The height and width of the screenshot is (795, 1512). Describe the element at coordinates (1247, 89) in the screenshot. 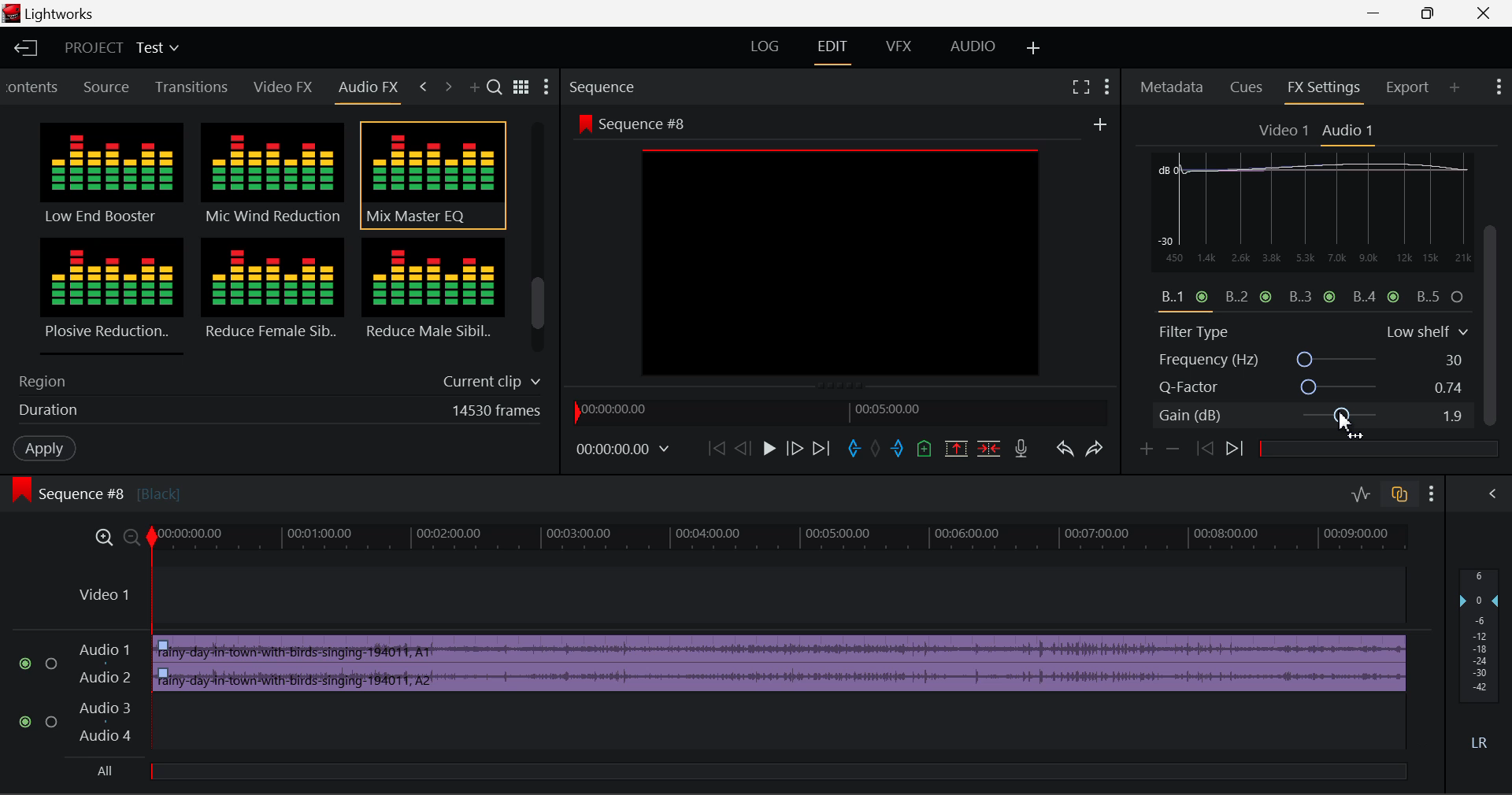

I see `Cues` at that location.